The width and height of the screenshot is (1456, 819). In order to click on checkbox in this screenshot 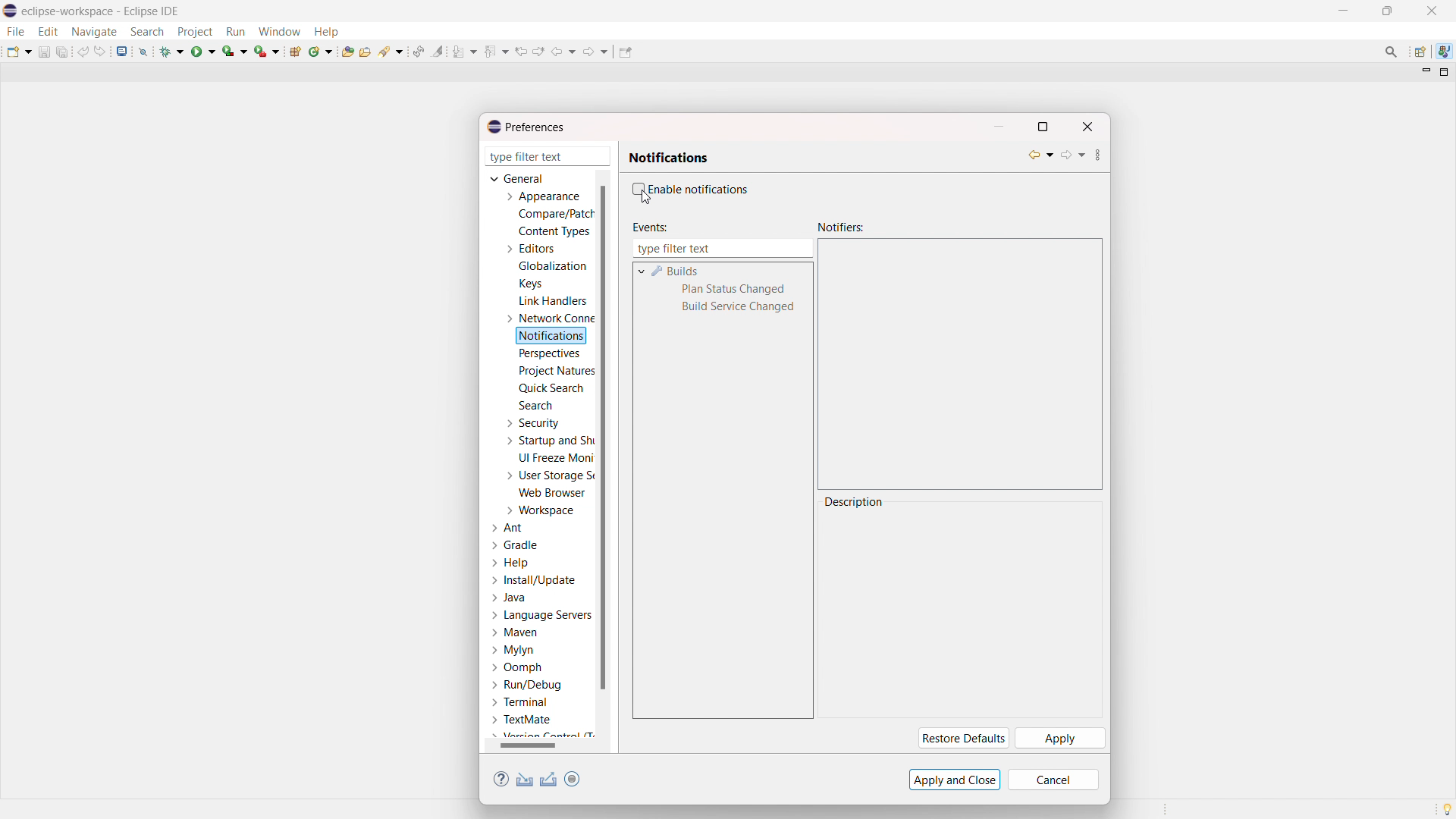, I will do `click(636, 189)`.